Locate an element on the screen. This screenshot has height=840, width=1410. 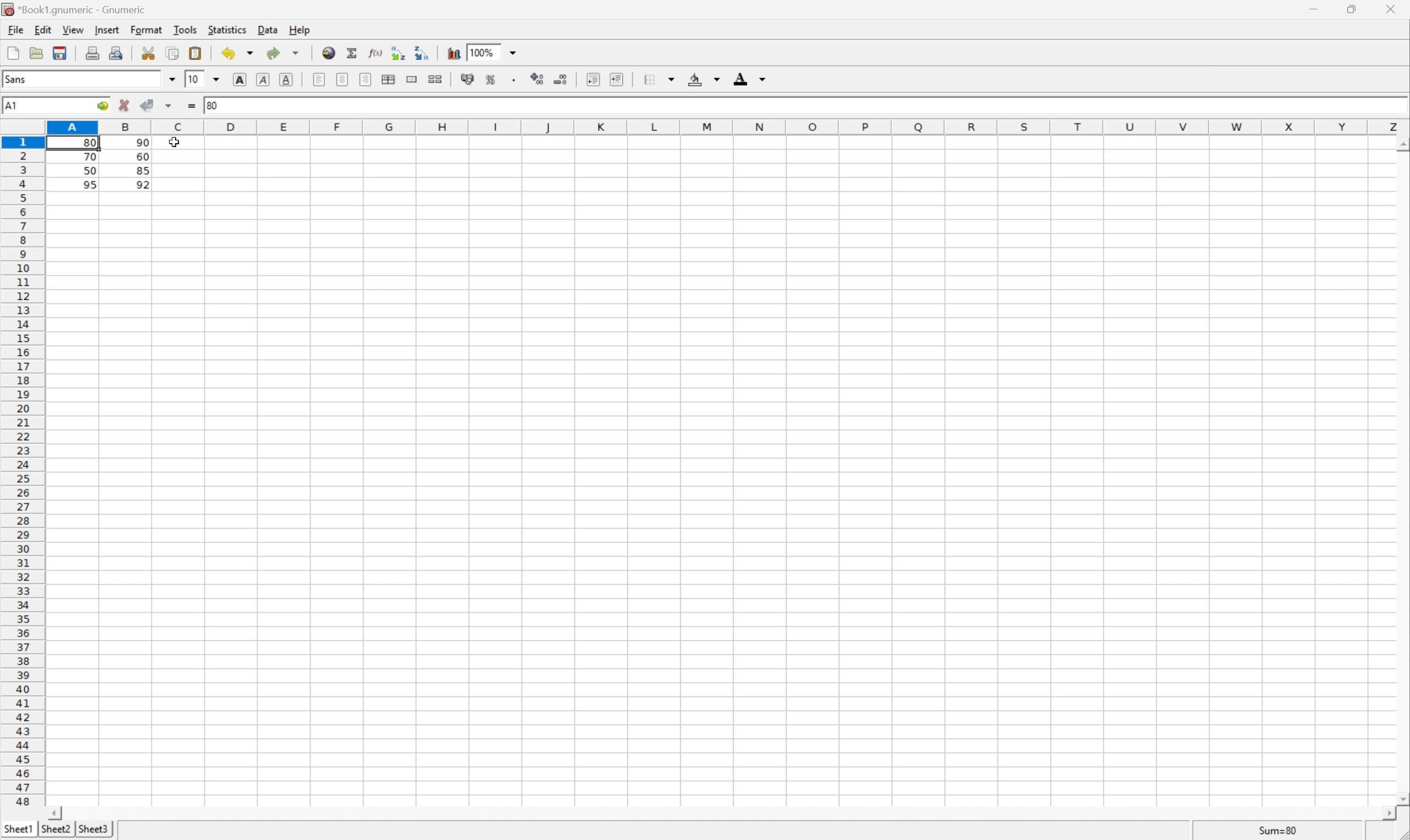
Restore Down is located at coordinates (1353, 7).